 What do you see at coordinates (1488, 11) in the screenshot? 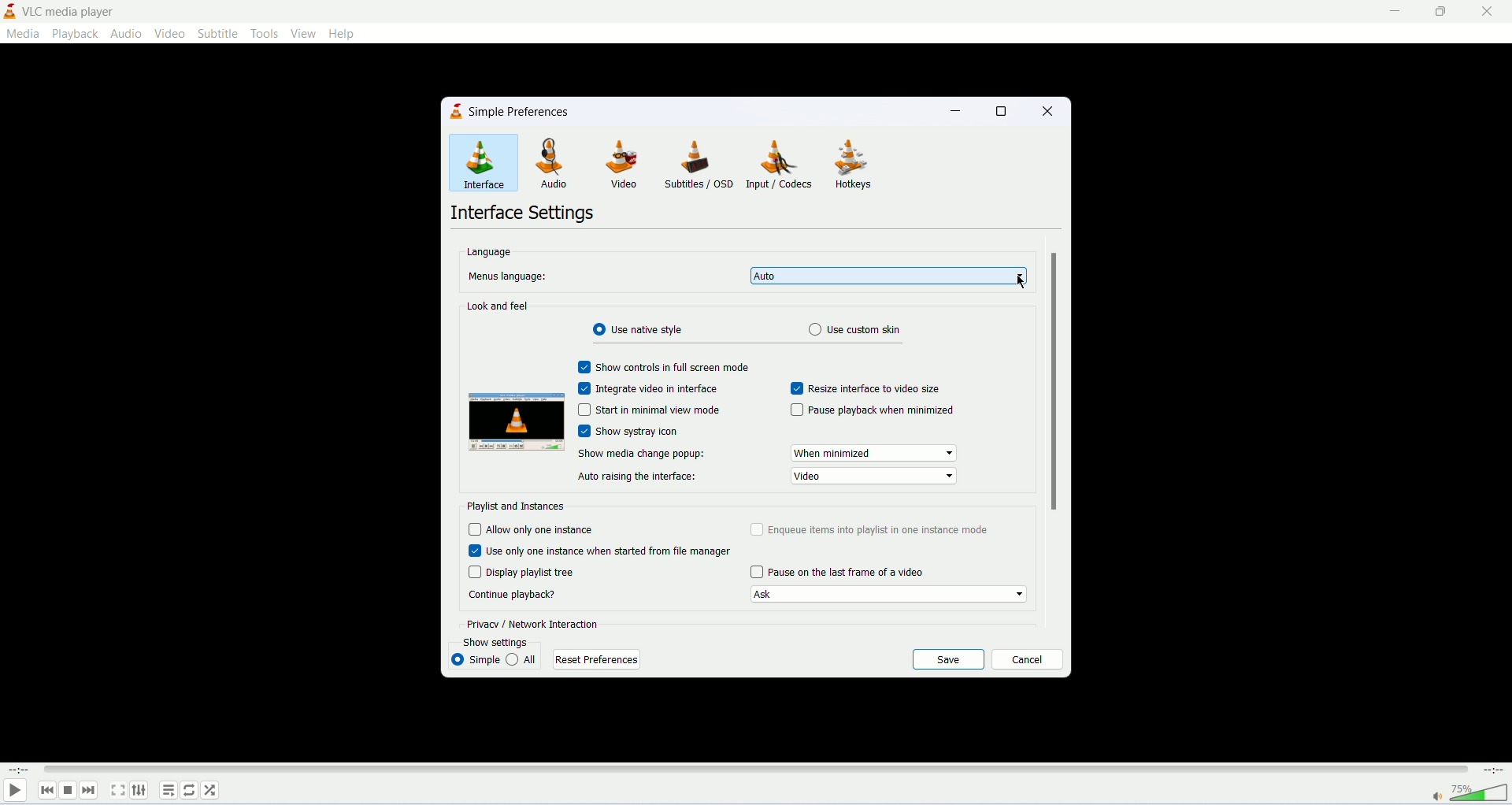
I see `close` at bounding box center [1488, 11].